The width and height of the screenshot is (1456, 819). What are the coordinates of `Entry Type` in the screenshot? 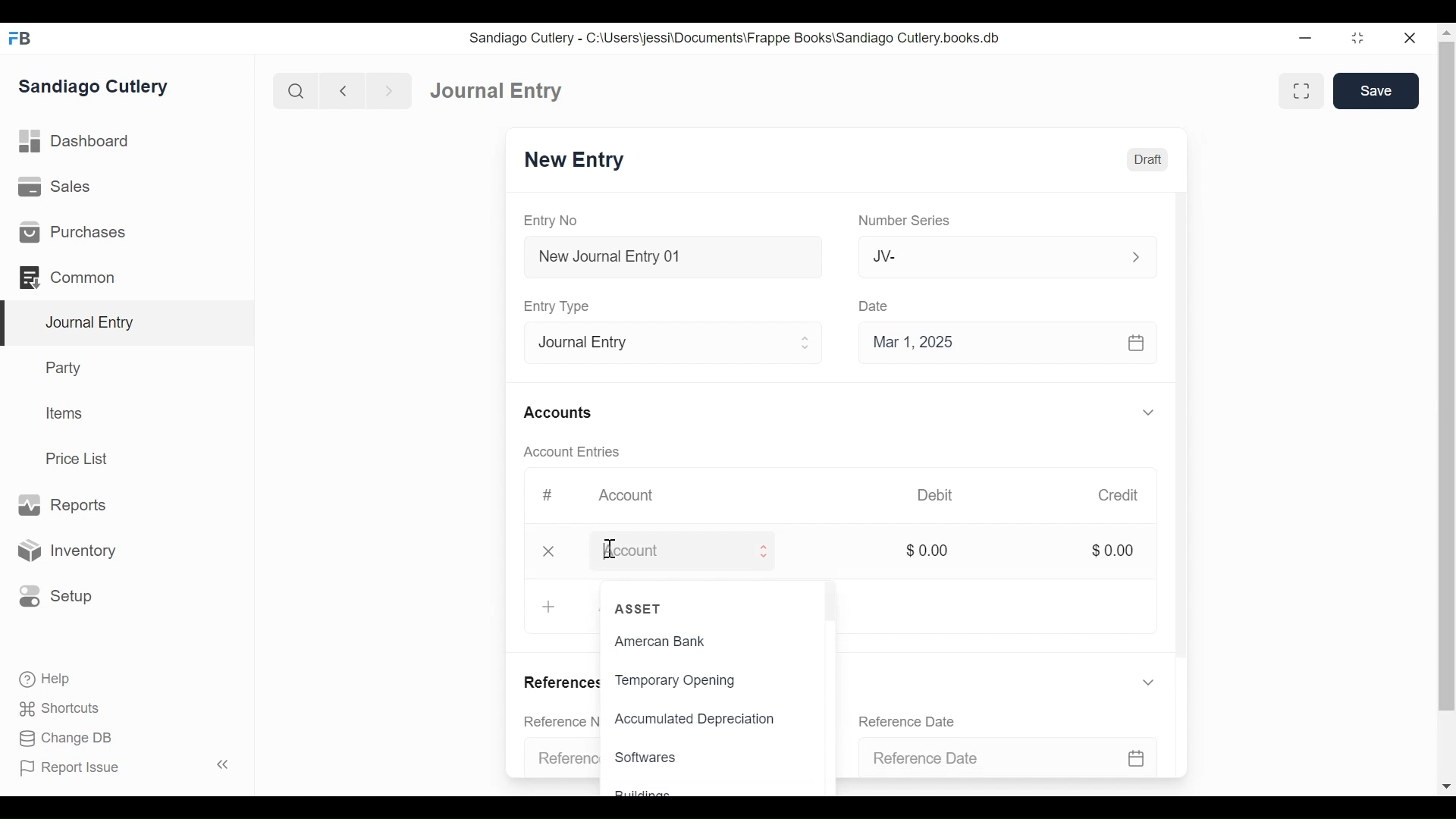 It's located at (678, 340).